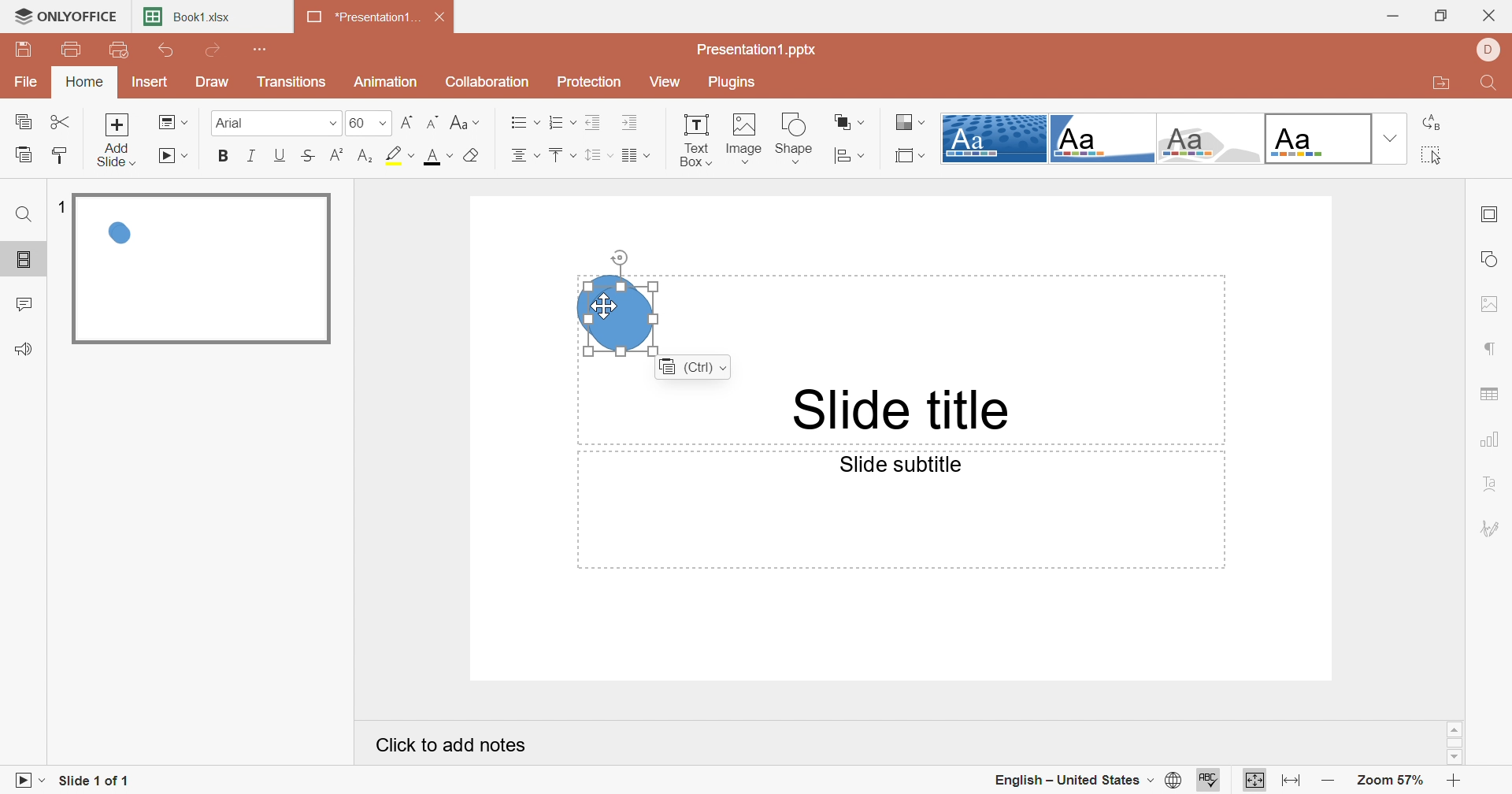 The height and width of the screenshot is (794, 1512). What do you see at coordinates (1254, 779) in the screenshot?
I see `Fit to slide` at bounding box center [1254, 779].